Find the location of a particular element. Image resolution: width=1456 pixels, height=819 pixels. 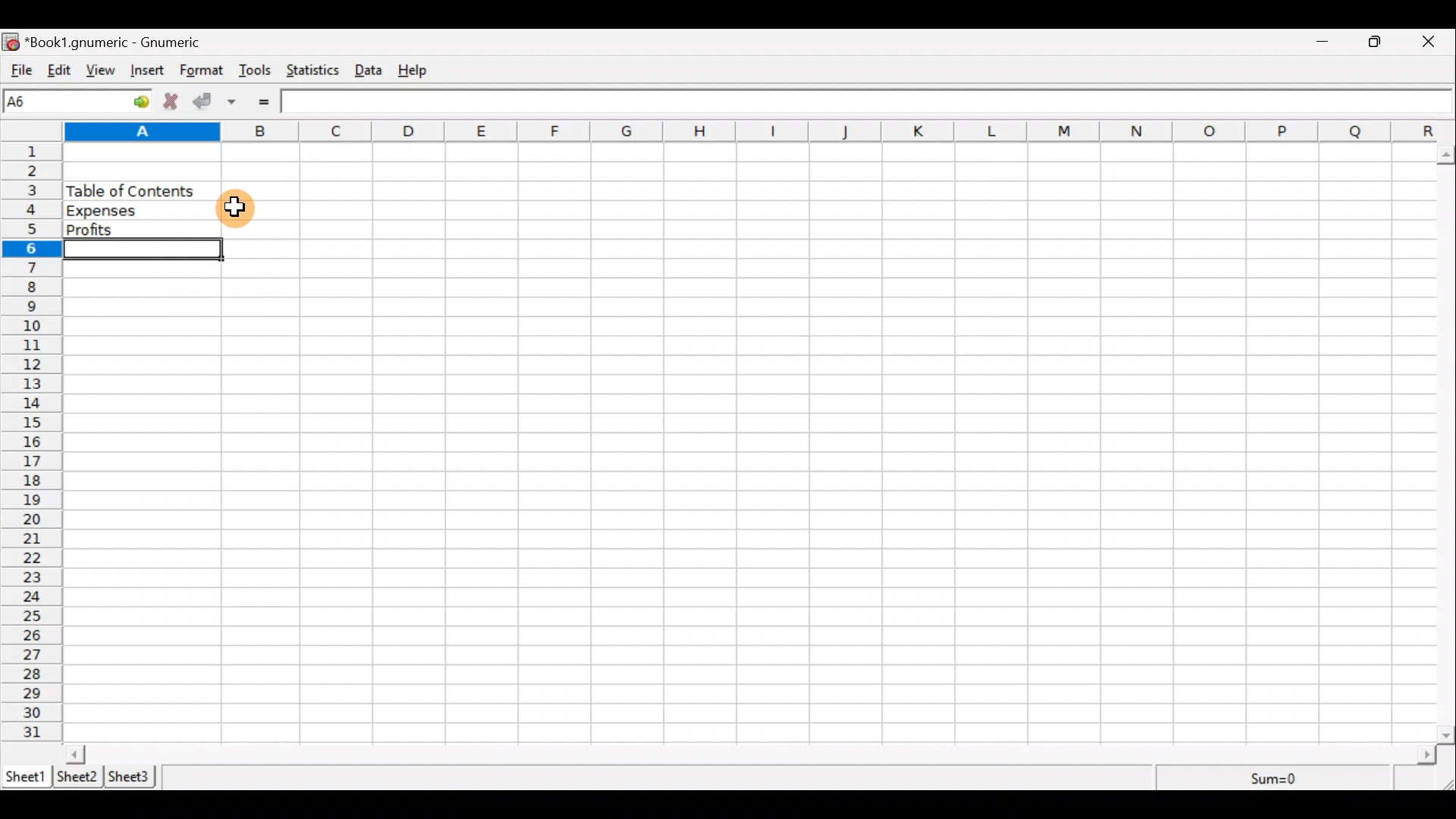

Tools is located at coordinates (256, 71).